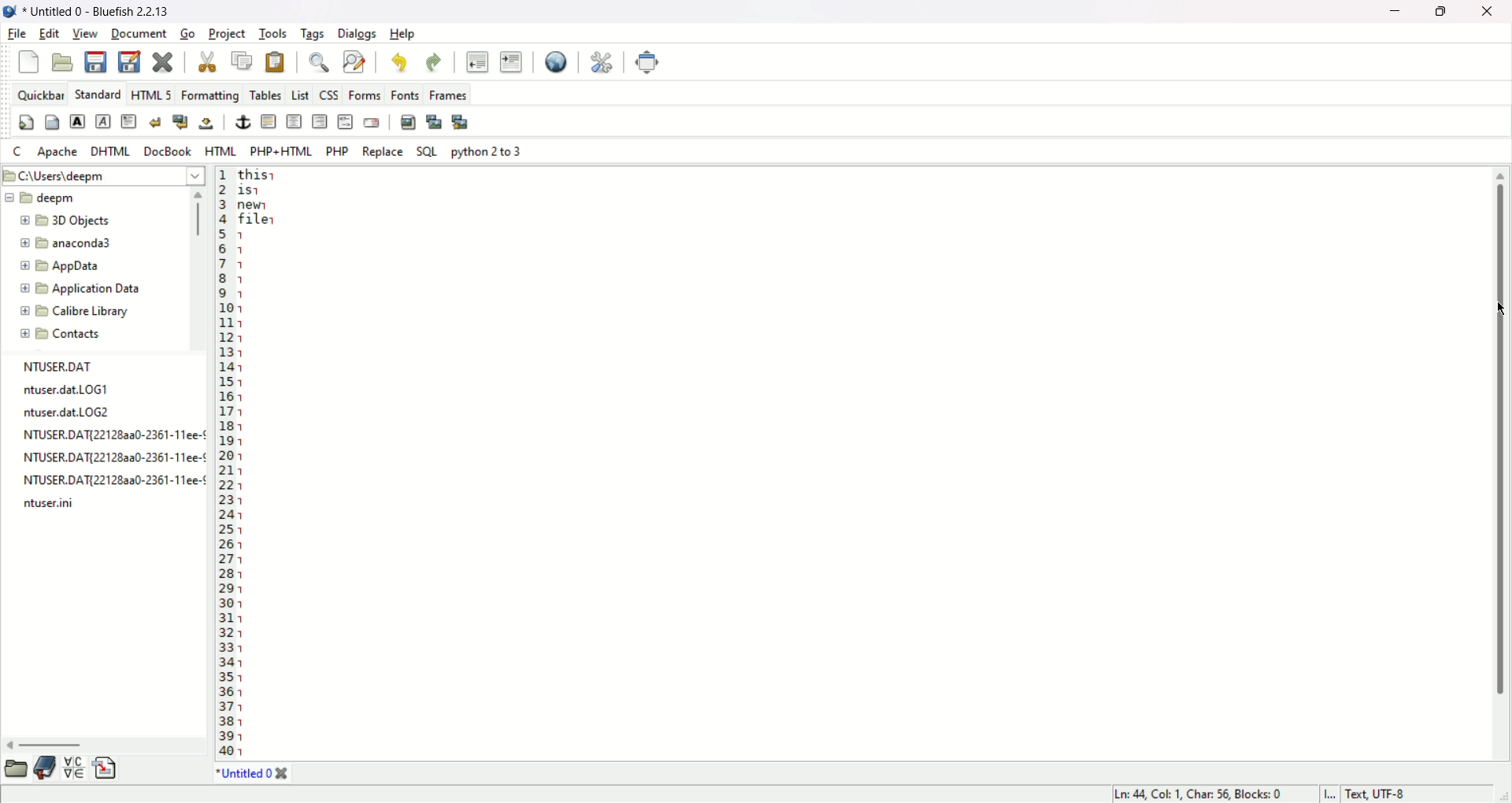 The height and width of the screenshot is (803, 1512). I want to click on Folder name, so click(41, 198).